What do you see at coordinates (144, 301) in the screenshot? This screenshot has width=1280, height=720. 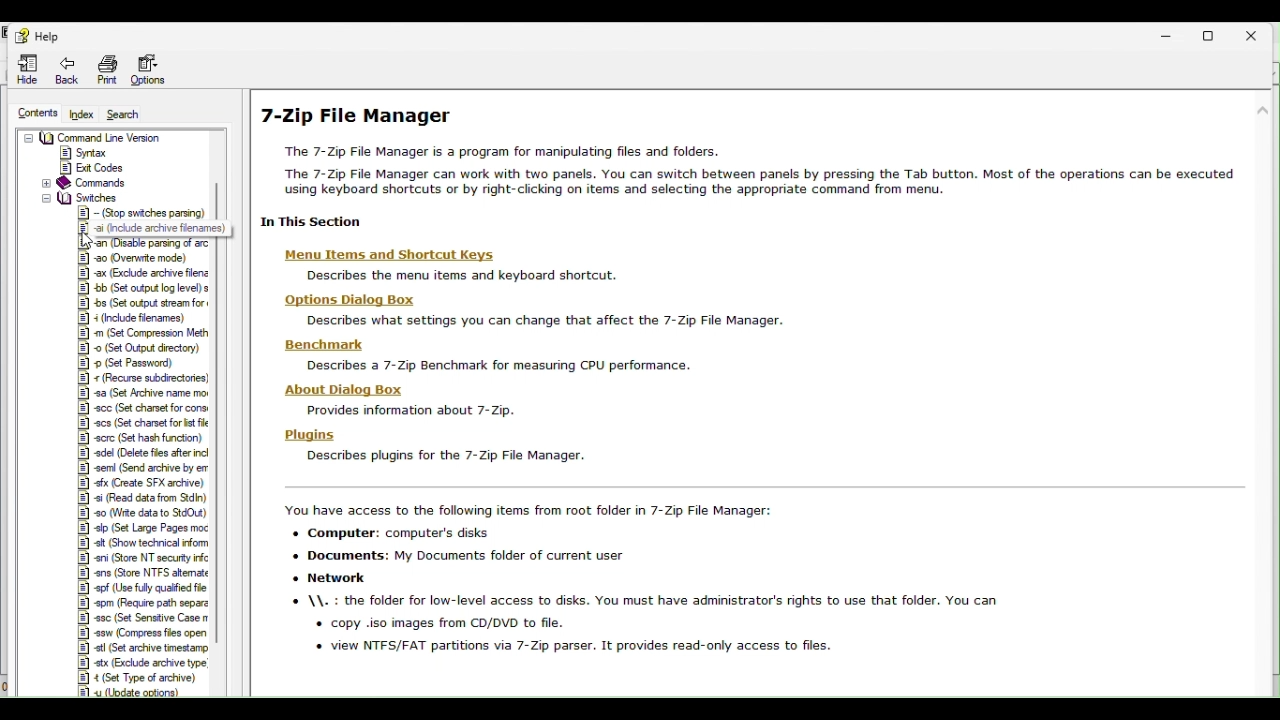 I see `et output stream for` at bounding box center [144, 301].